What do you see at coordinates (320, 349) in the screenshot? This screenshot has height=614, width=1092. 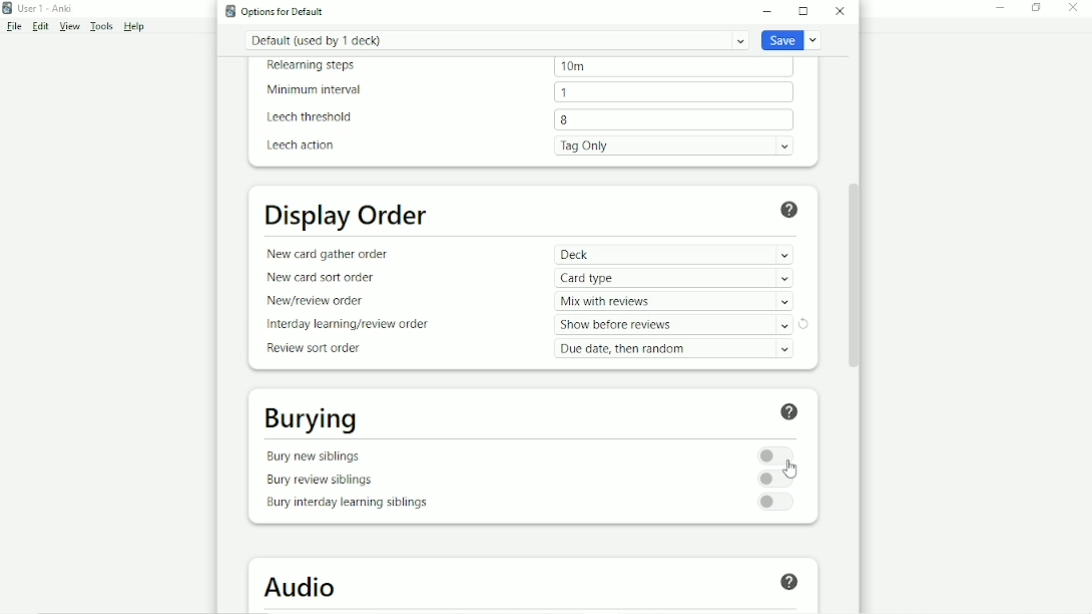 I see `Review sort order` at bounding box center [320, 349].